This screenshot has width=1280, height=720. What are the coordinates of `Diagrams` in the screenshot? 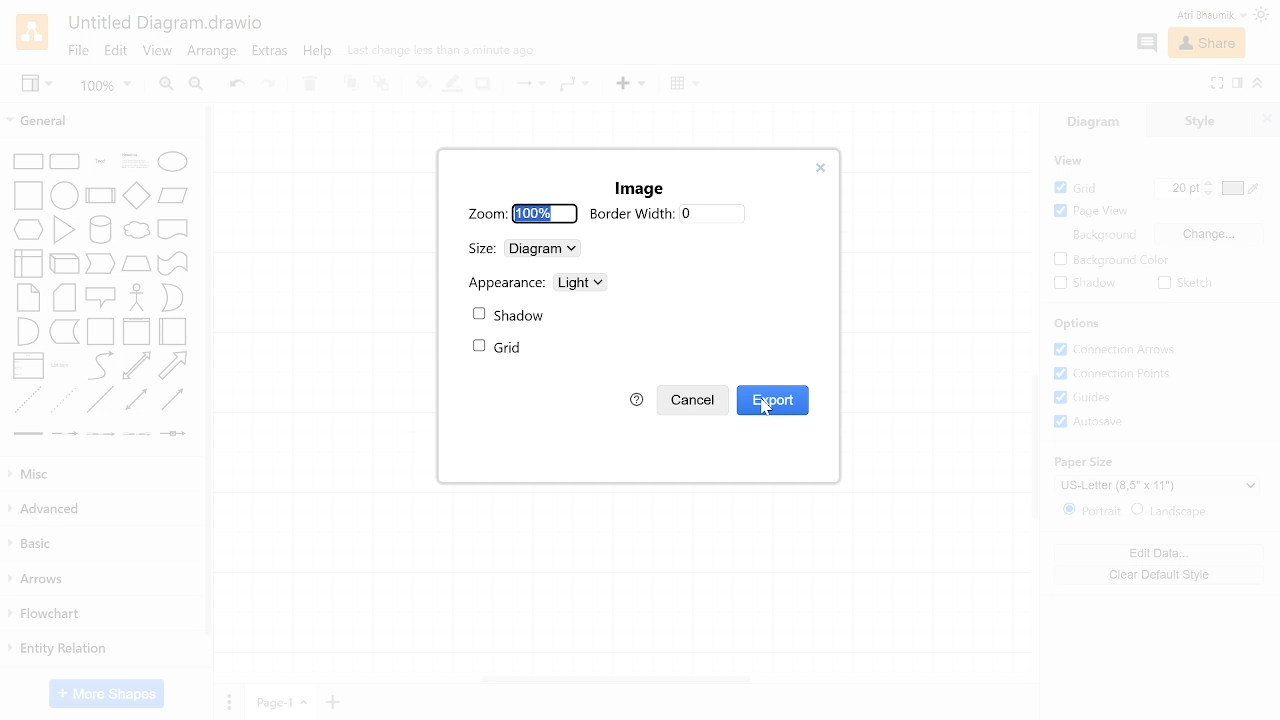 It's located at (1095, 124).